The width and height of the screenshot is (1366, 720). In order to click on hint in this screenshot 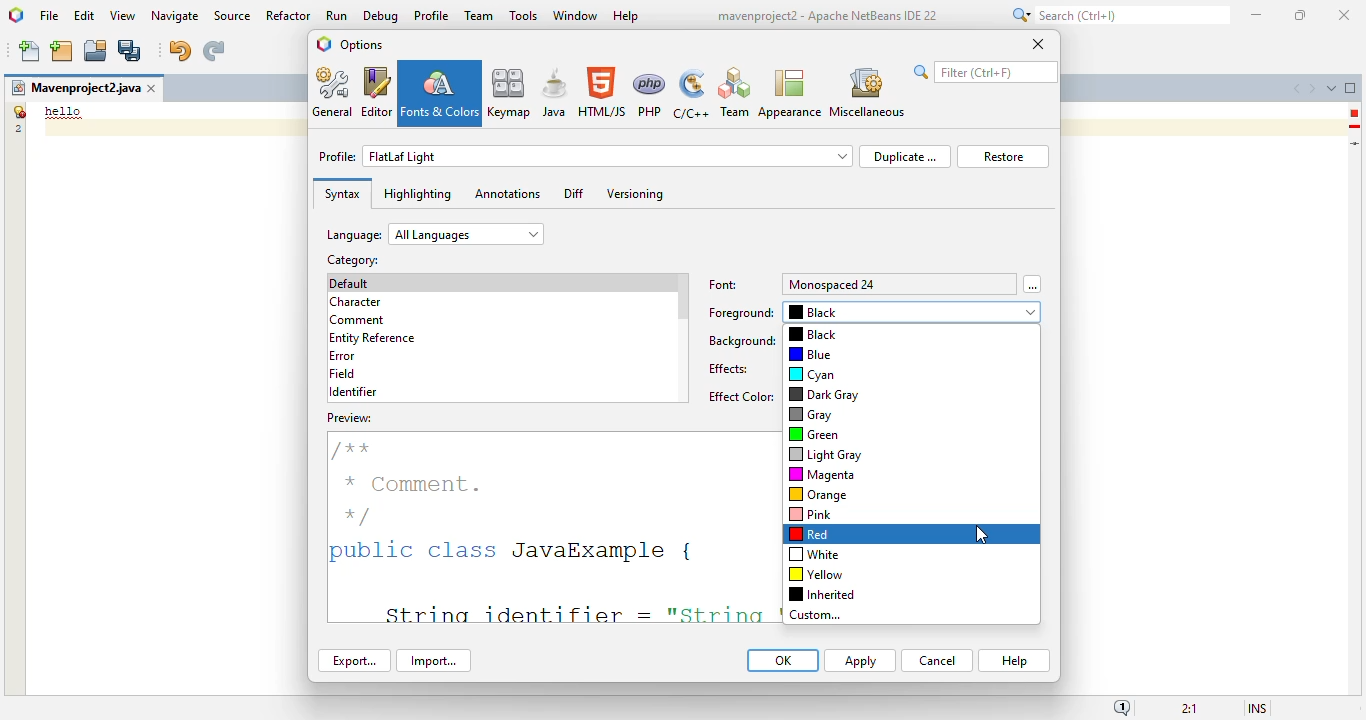, I will do `click(1355, 127)`.